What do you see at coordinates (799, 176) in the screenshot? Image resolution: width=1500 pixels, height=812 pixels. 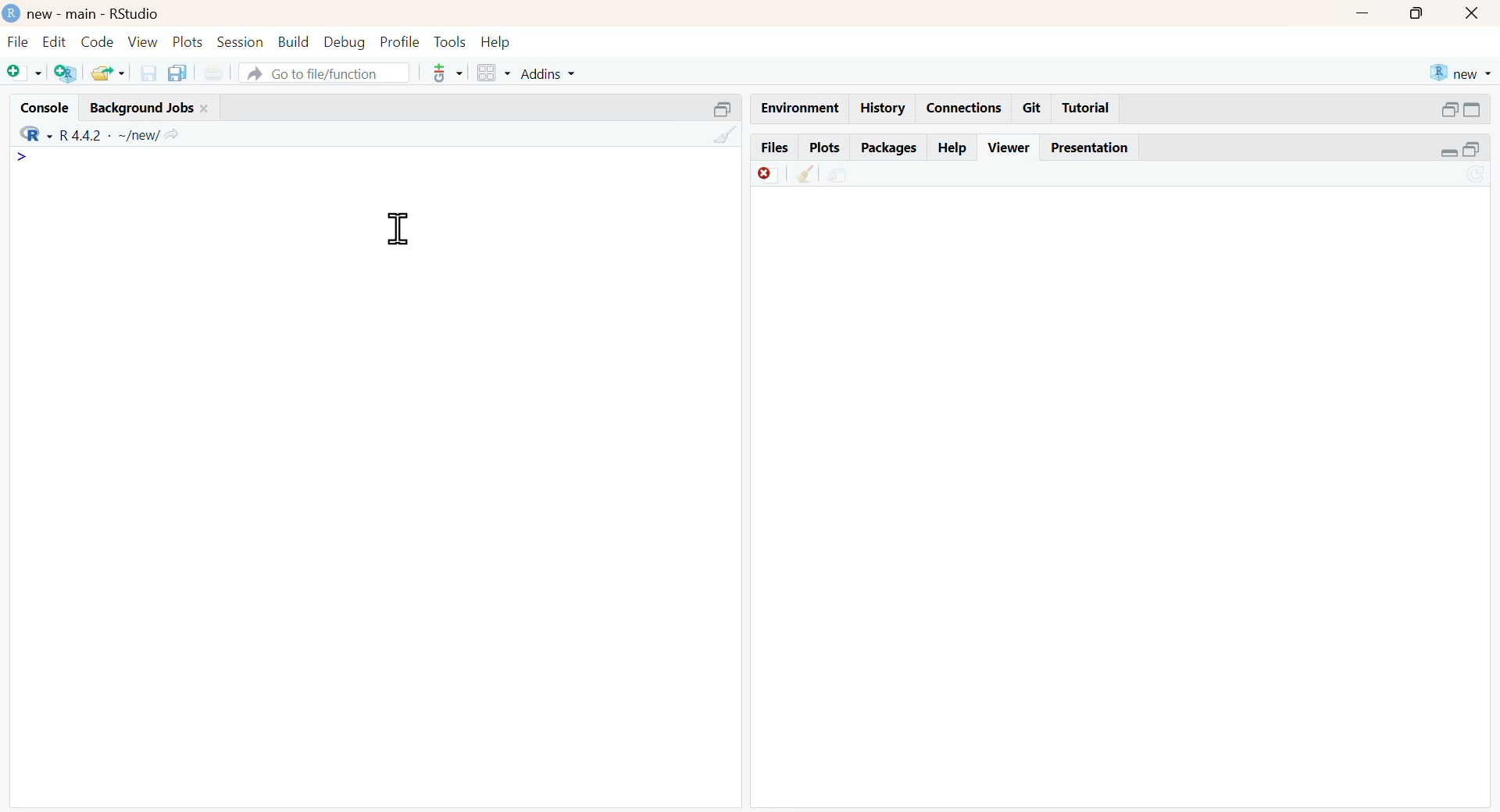 I see `clear all viewer item` at bounding box center [799, 176].